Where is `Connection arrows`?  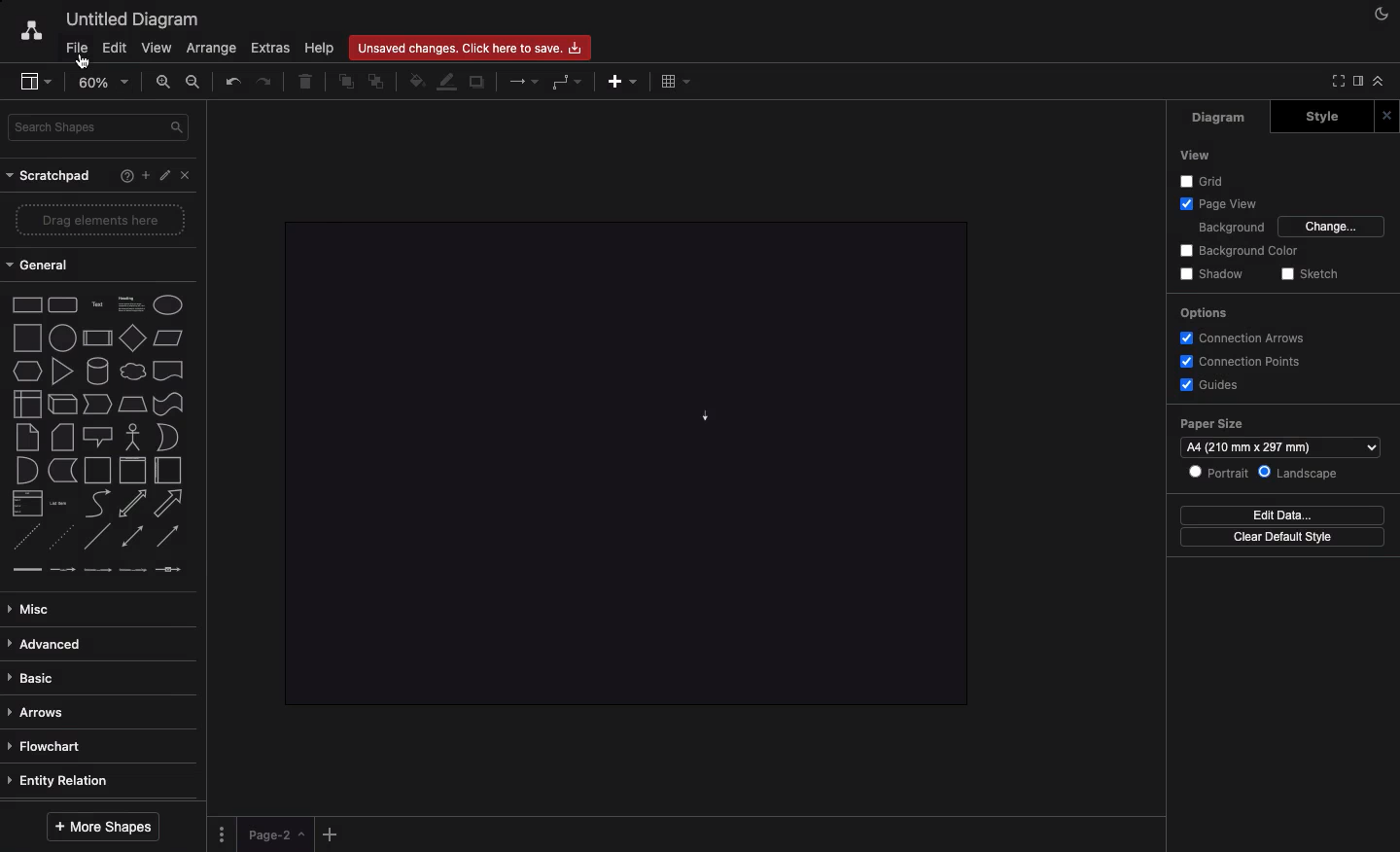 Connection arrows is located at coordinates (1247, 337).